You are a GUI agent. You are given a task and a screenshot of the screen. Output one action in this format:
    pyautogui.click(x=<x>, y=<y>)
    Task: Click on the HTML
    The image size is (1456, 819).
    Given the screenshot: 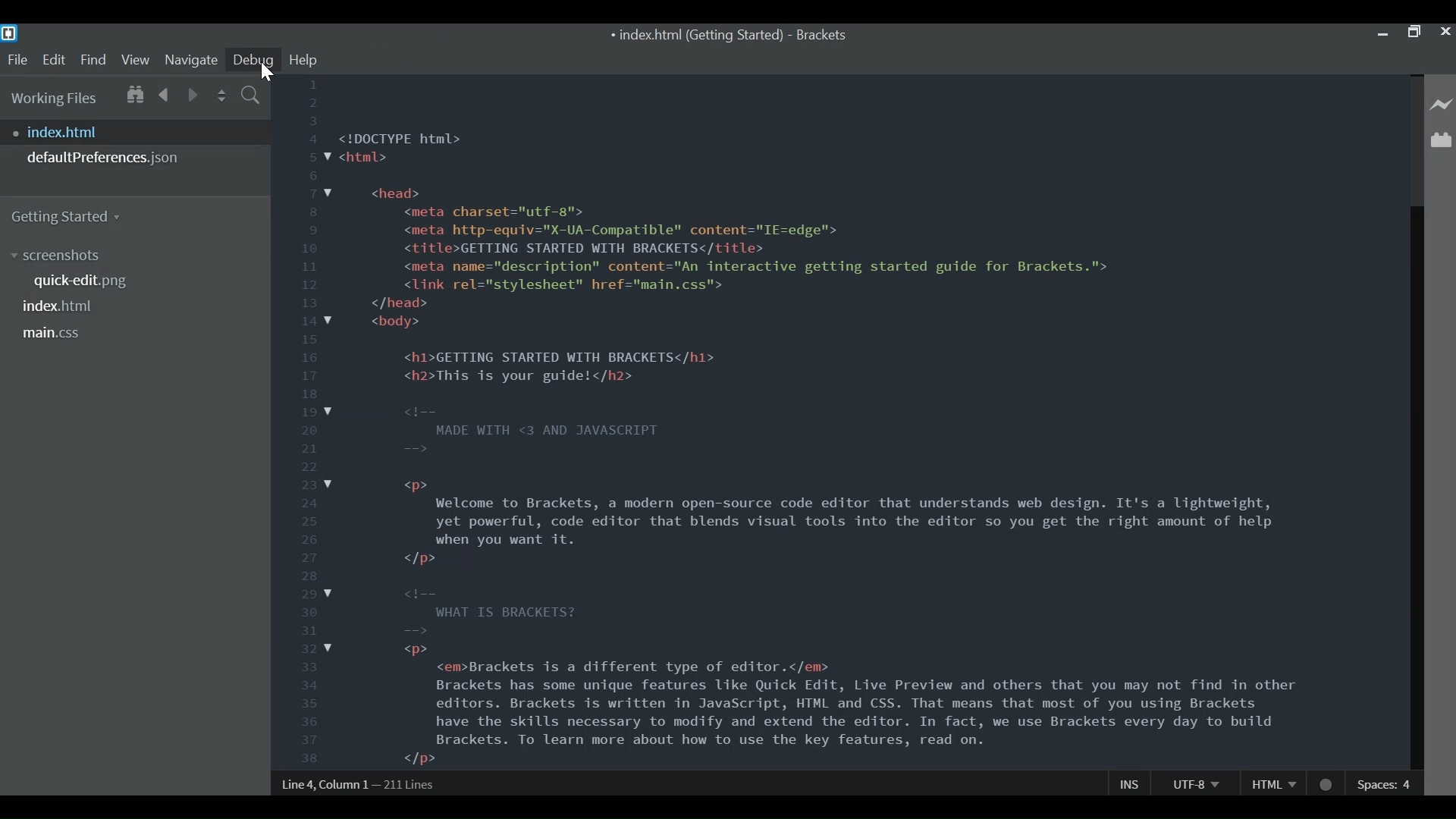 What is the action you would take?
    pyautogui.click(x=1273, y=783)
    